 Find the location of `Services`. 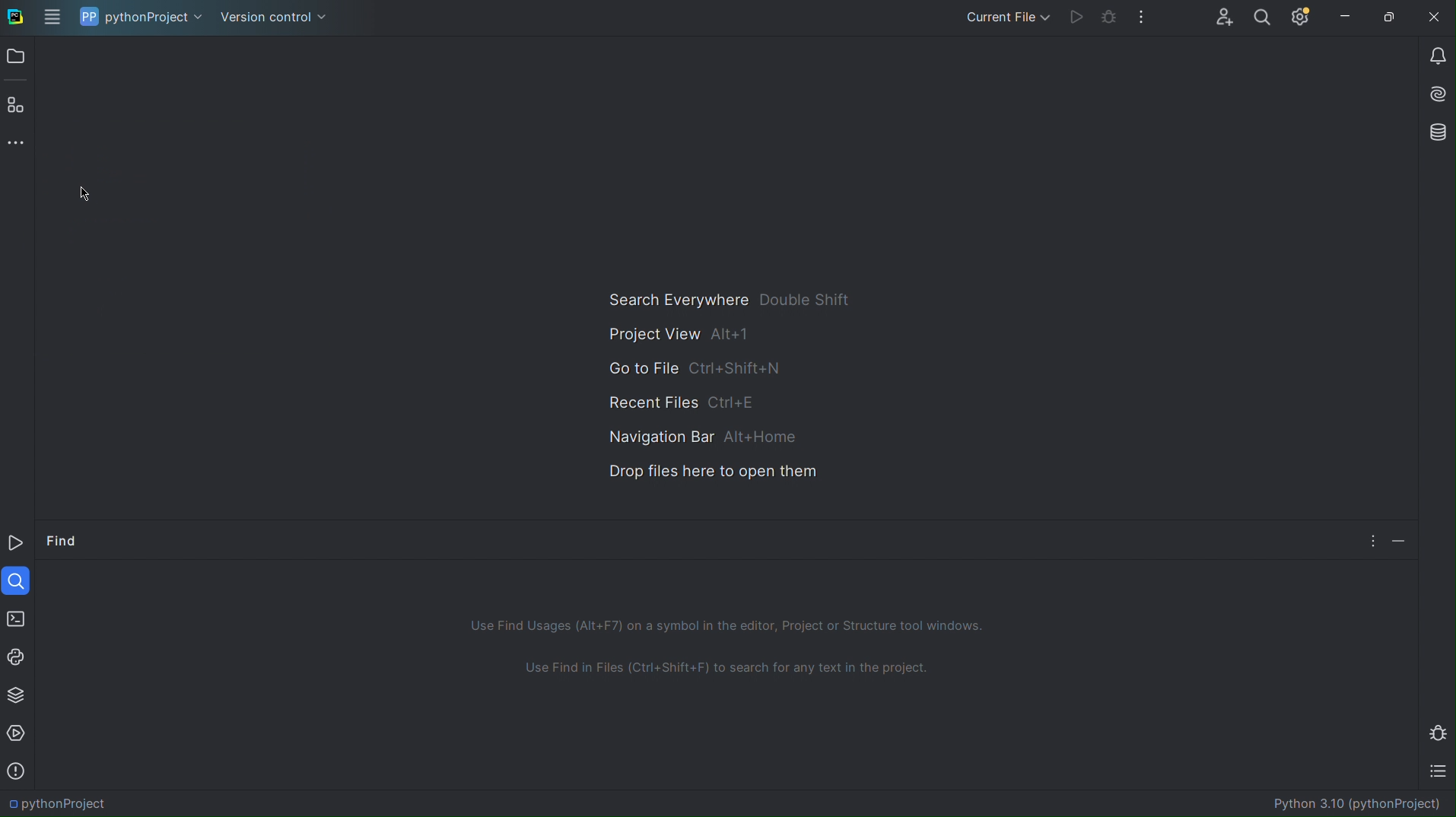

Services is located at coordinates (18, 733).